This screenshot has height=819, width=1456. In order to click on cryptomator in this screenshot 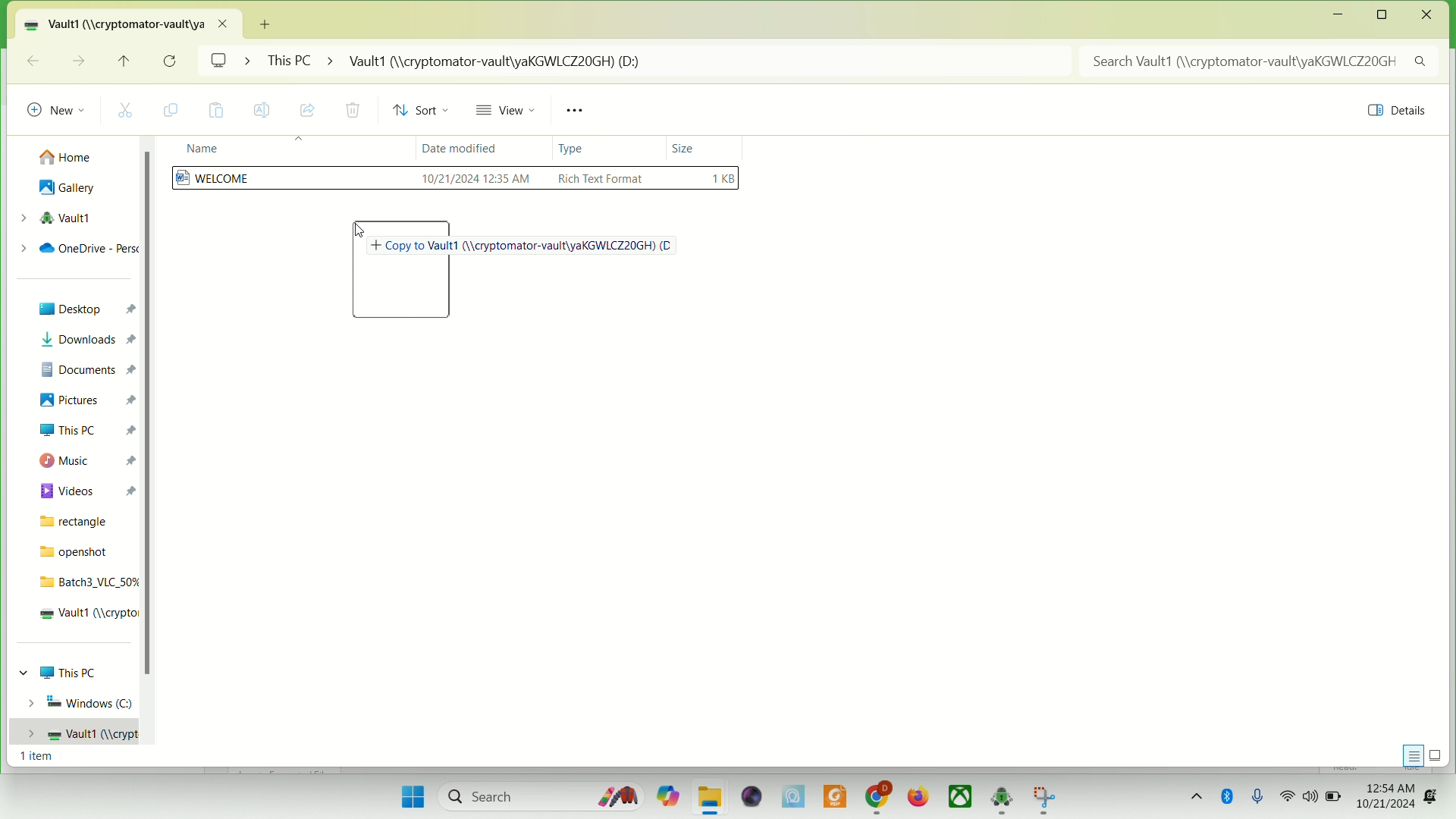, I will do `click(1002, 798)`.